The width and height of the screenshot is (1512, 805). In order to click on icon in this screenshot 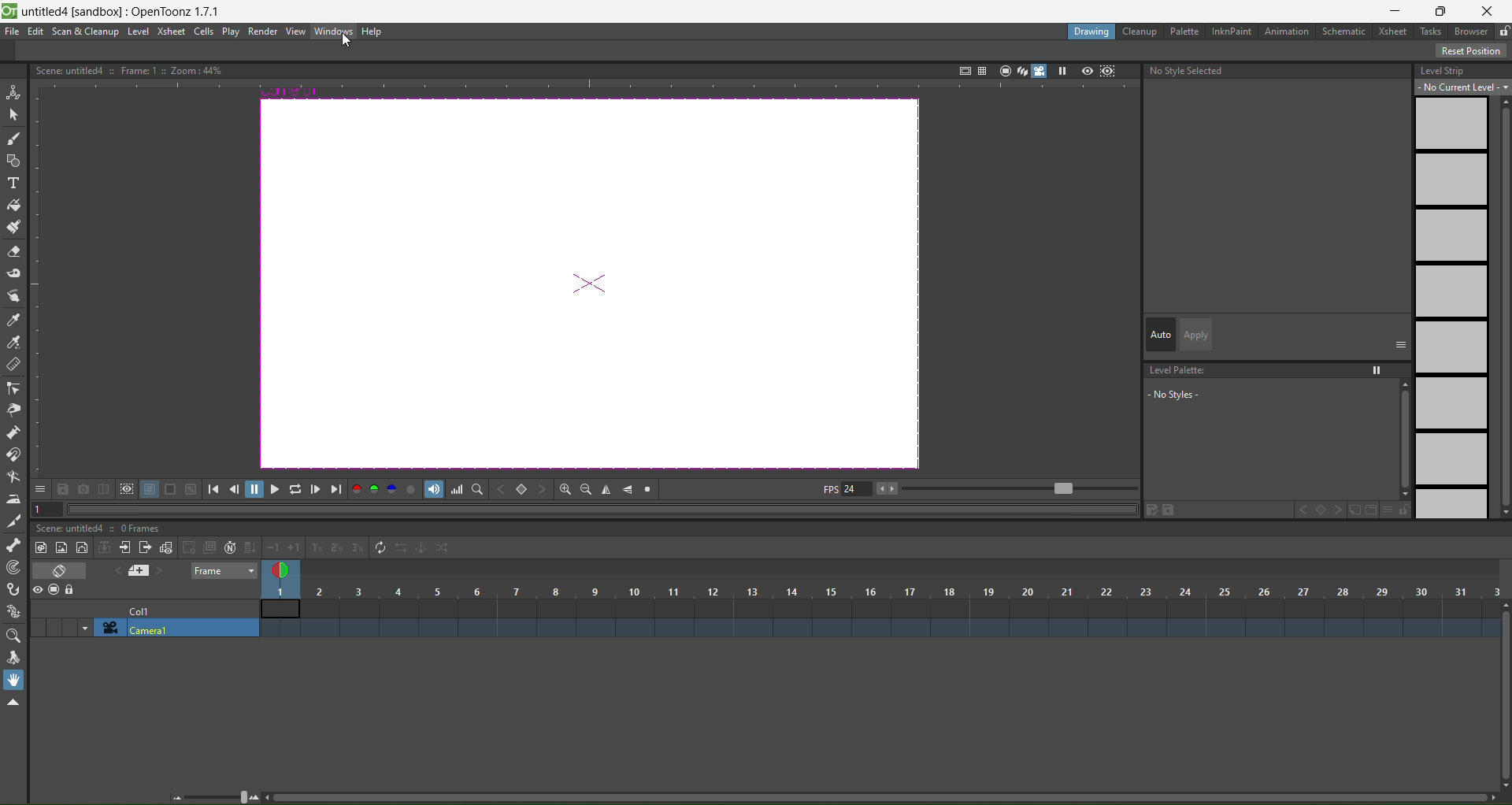, I will do `click(55, 591)`.